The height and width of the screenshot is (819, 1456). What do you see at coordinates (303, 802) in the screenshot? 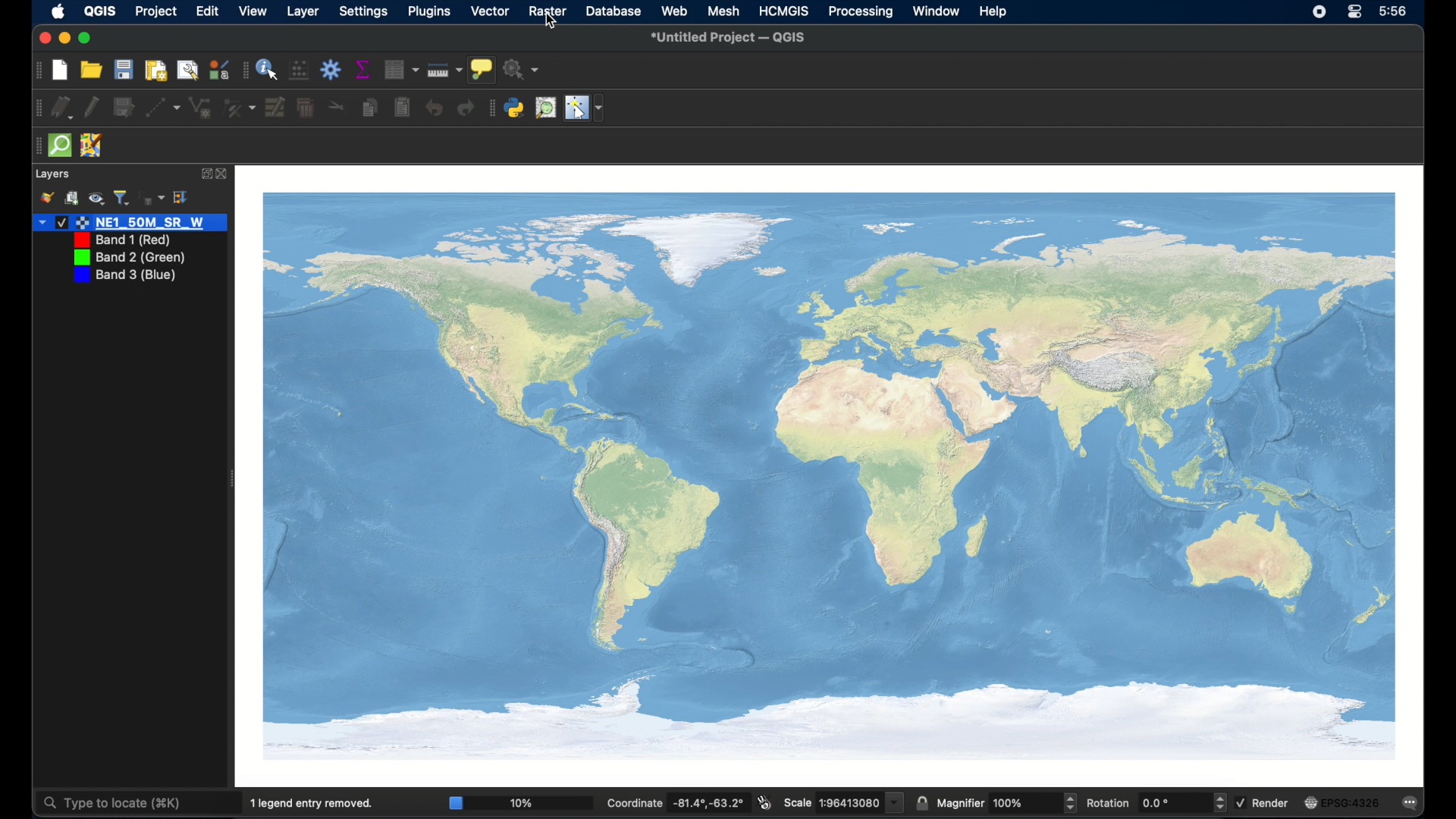
I see `1 legend entry removed` at bounding box center [303, 802].